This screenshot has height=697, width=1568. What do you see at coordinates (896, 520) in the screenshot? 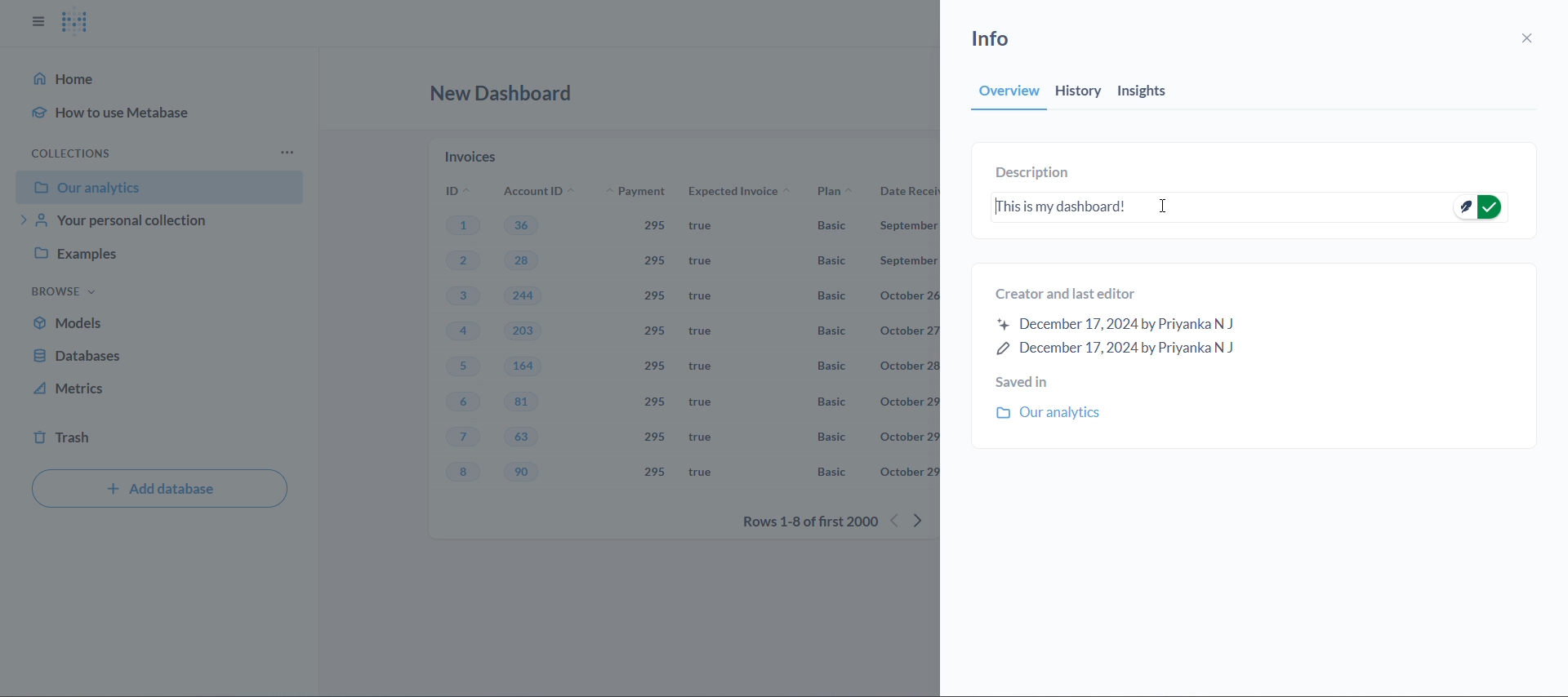
I see `previous rows` at bounding box center [896, 520].